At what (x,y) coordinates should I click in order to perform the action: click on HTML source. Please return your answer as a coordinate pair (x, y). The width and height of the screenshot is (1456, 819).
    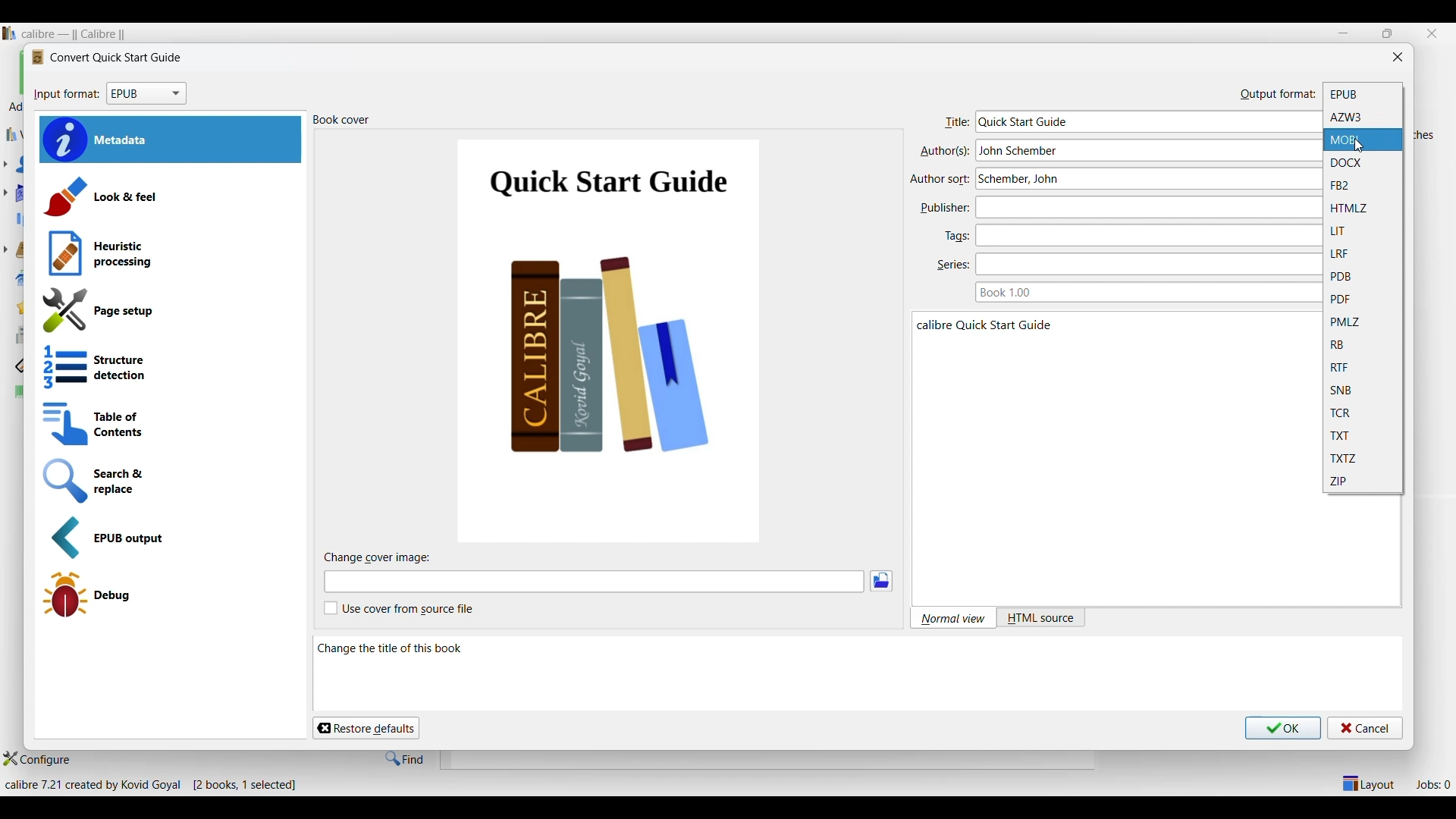
    Looking at the image, I should click on (1040, 618).